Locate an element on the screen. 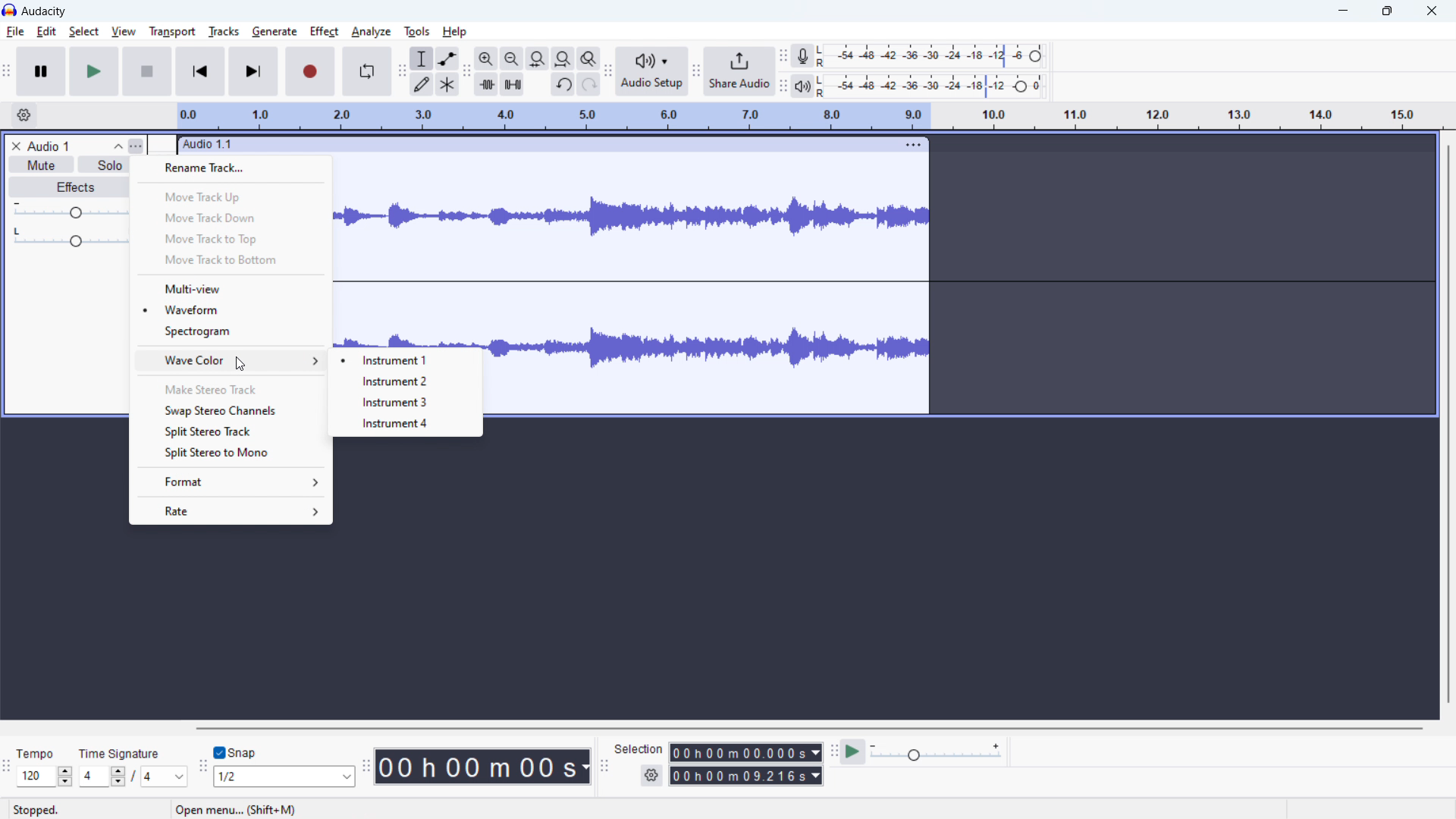 This screenshot has height=819, width=1456. horizontal scrollbar is located at coordinates (807, 728).